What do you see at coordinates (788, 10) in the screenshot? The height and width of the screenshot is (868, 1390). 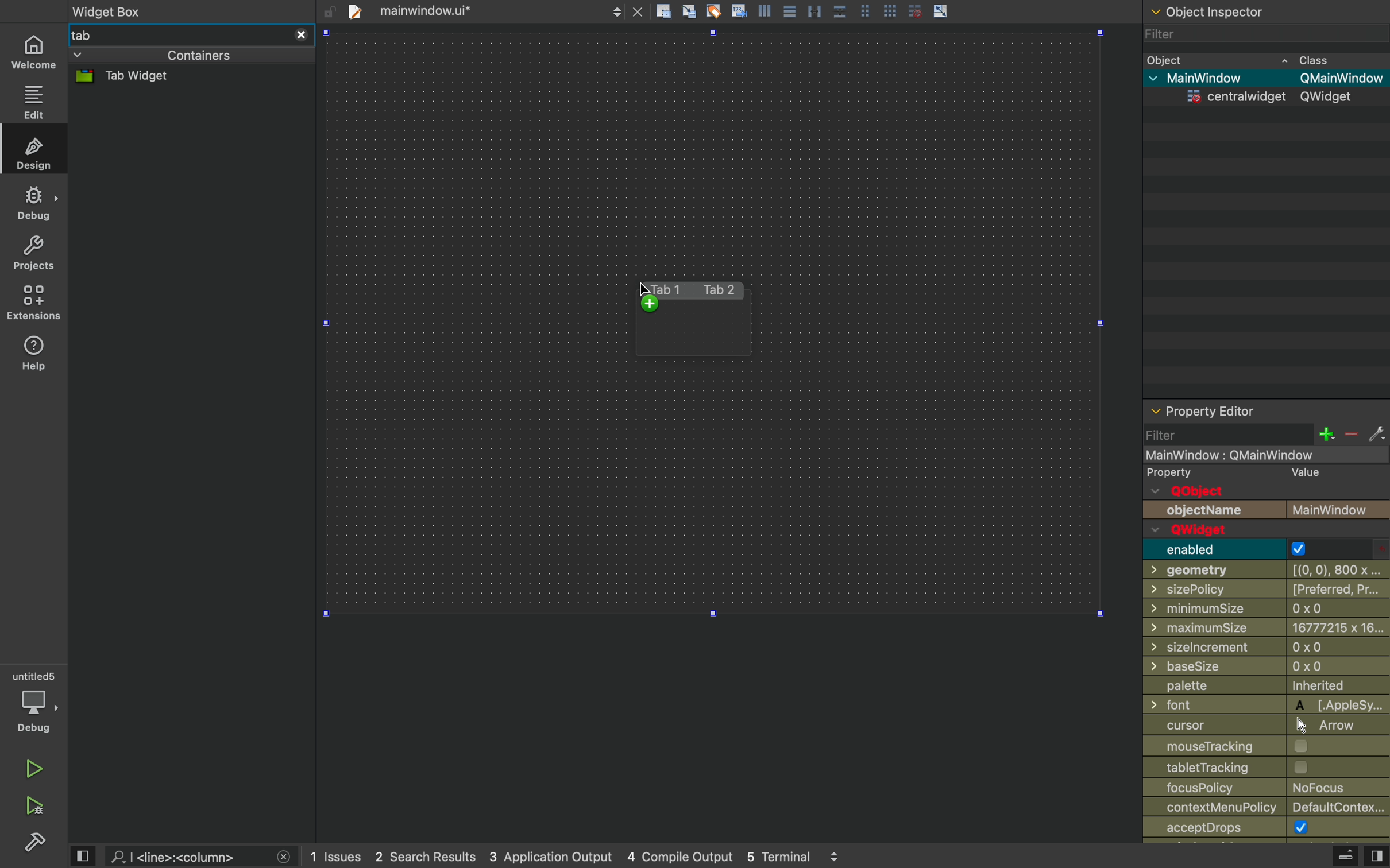 I see `align center` at bounding box center [788, 10].